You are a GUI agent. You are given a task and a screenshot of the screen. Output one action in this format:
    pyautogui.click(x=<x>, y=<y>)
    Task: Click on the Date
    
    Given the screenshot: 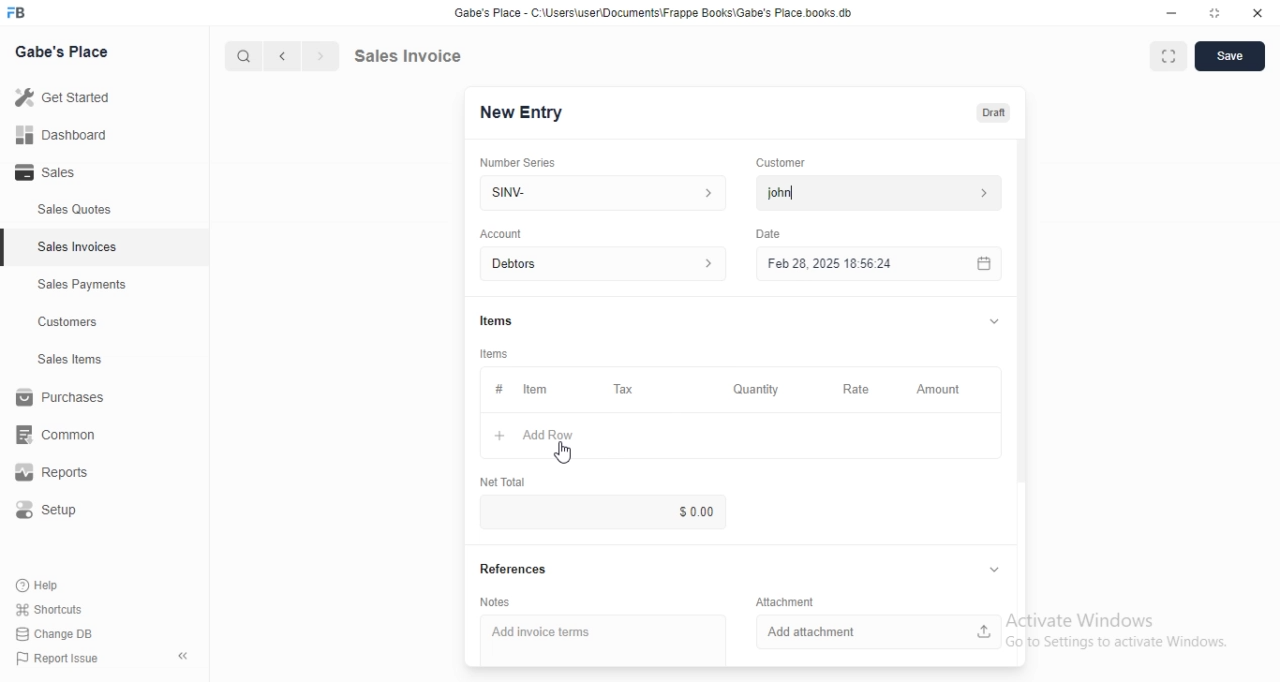 What is the action you would take?
    pyautogui.click(x=768, y=232)
    